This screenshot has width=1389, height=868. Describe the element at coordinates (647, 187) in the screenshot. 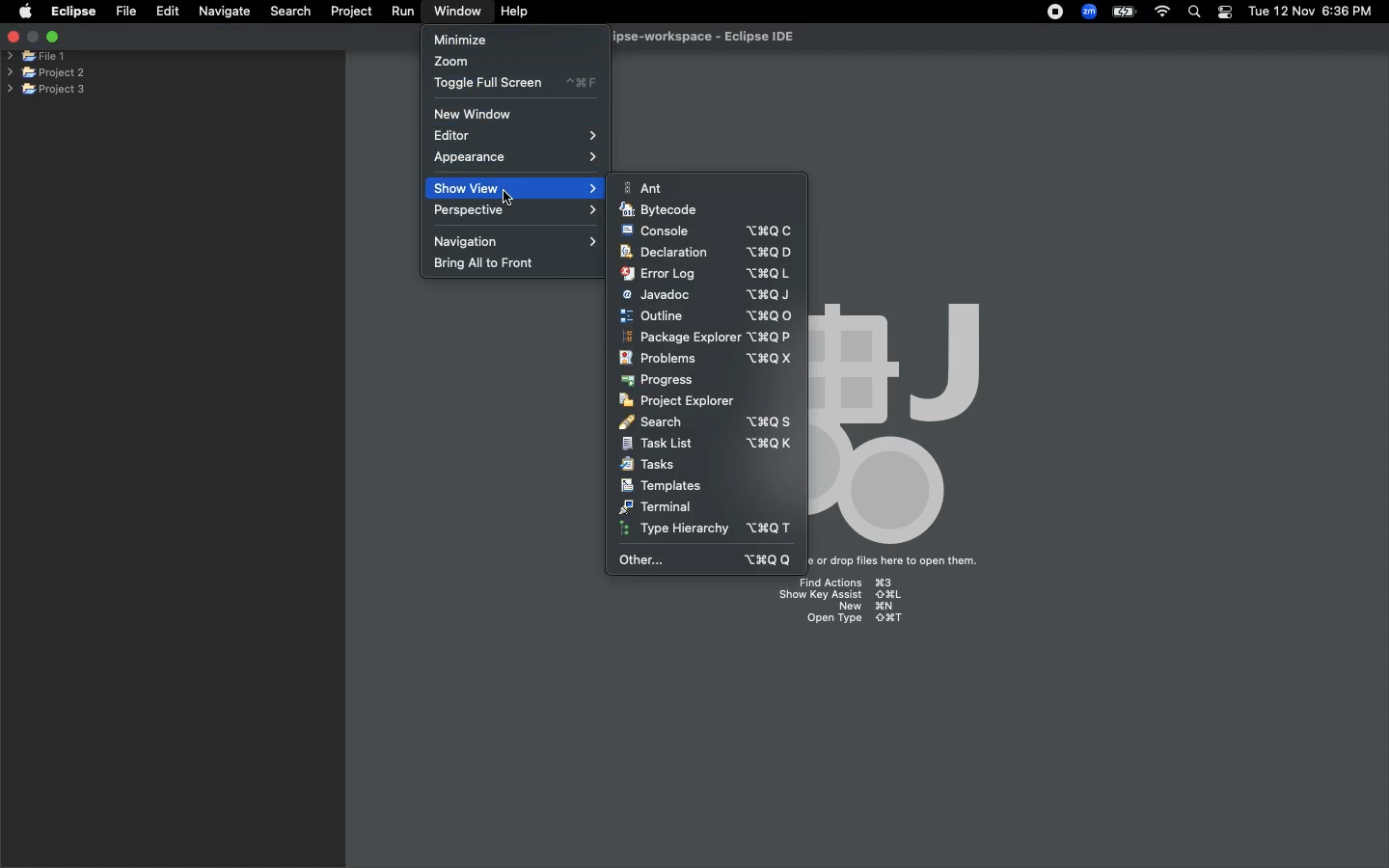

I see `Ant` at that location.